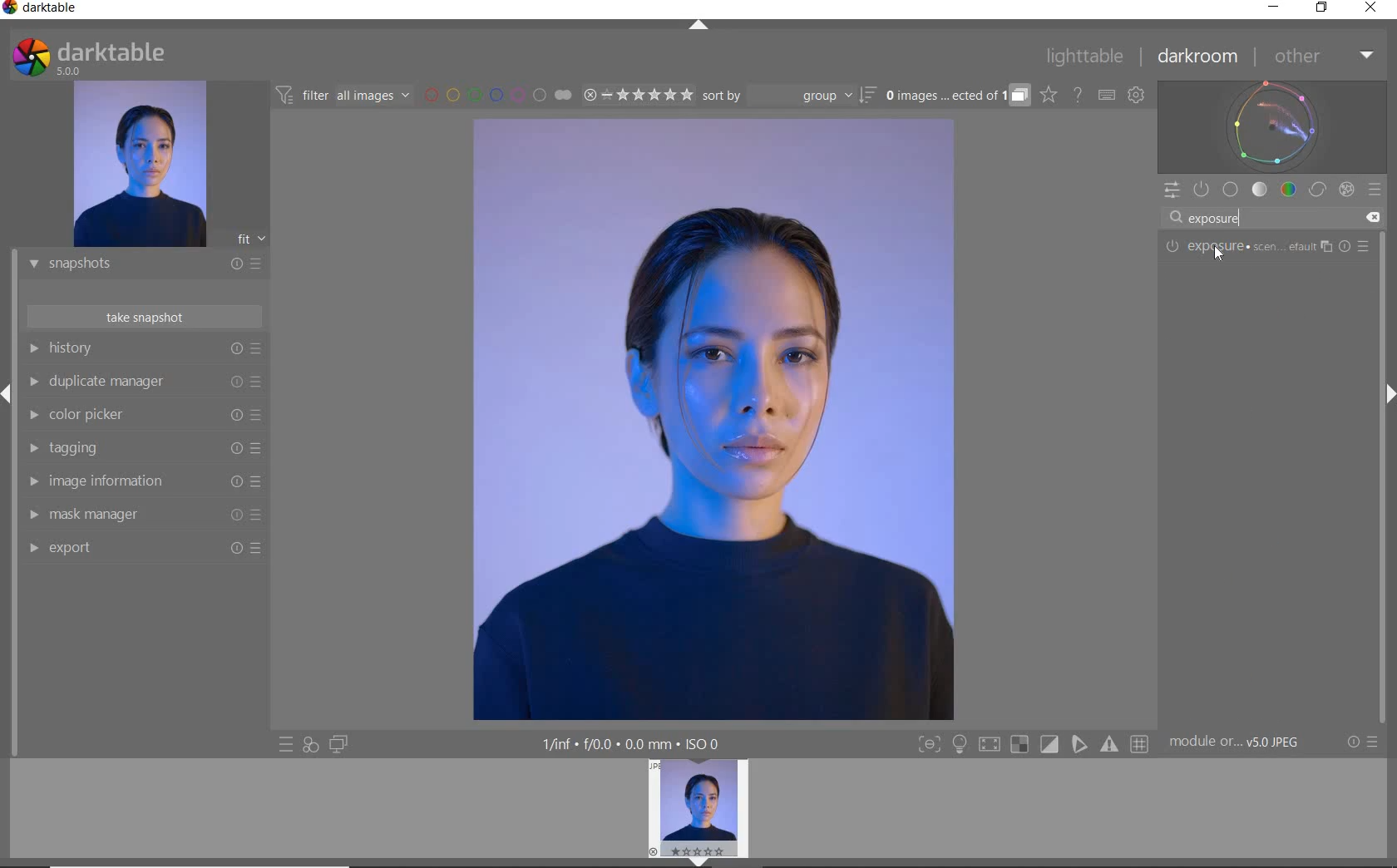 This screenshot has width=1397, height=868. I want to click on Button, so click(1111, 744).